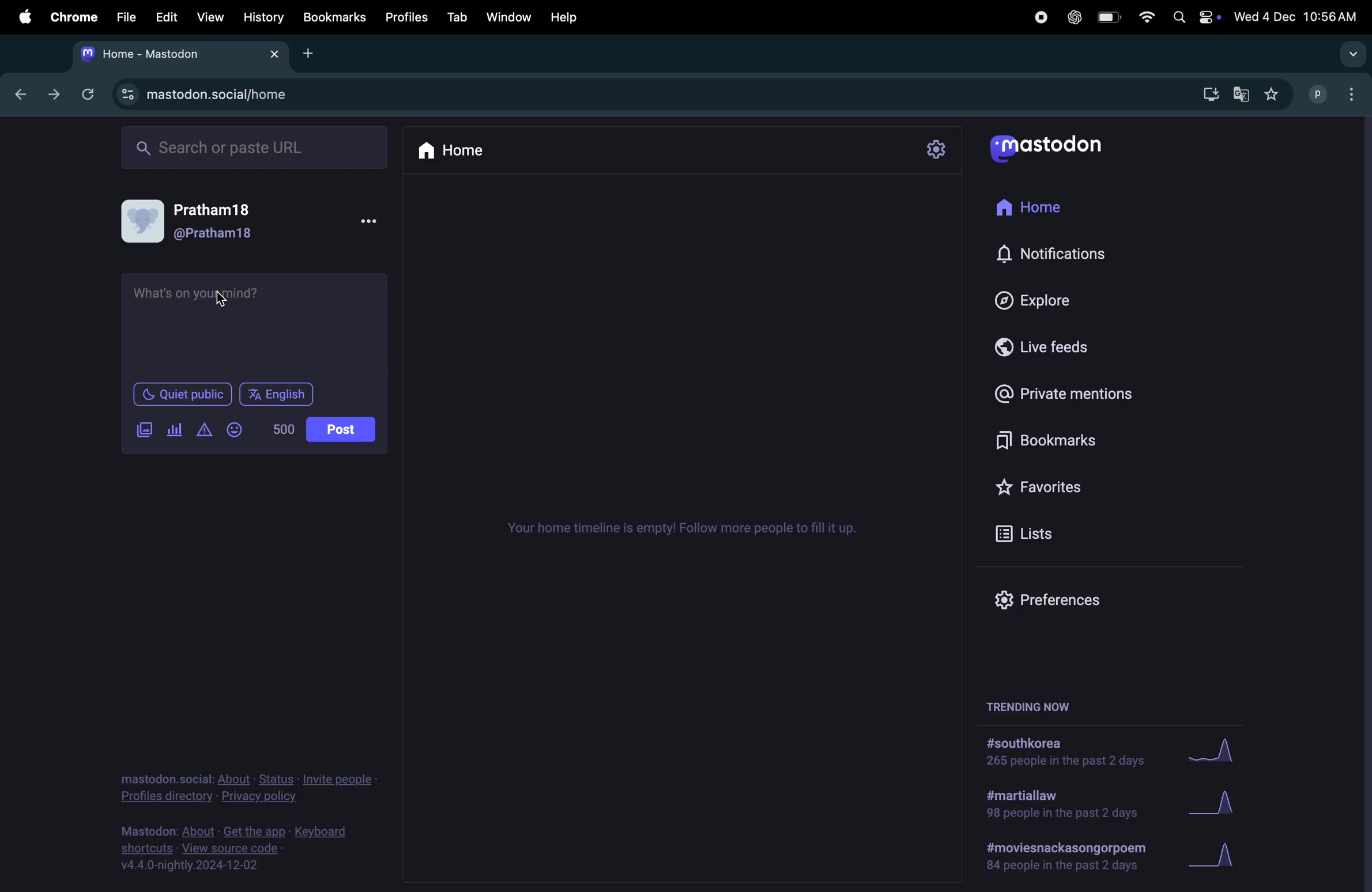  Describe the element at coordinates (1053, 345) in the screenshot. I see `Live feeds` at that location.